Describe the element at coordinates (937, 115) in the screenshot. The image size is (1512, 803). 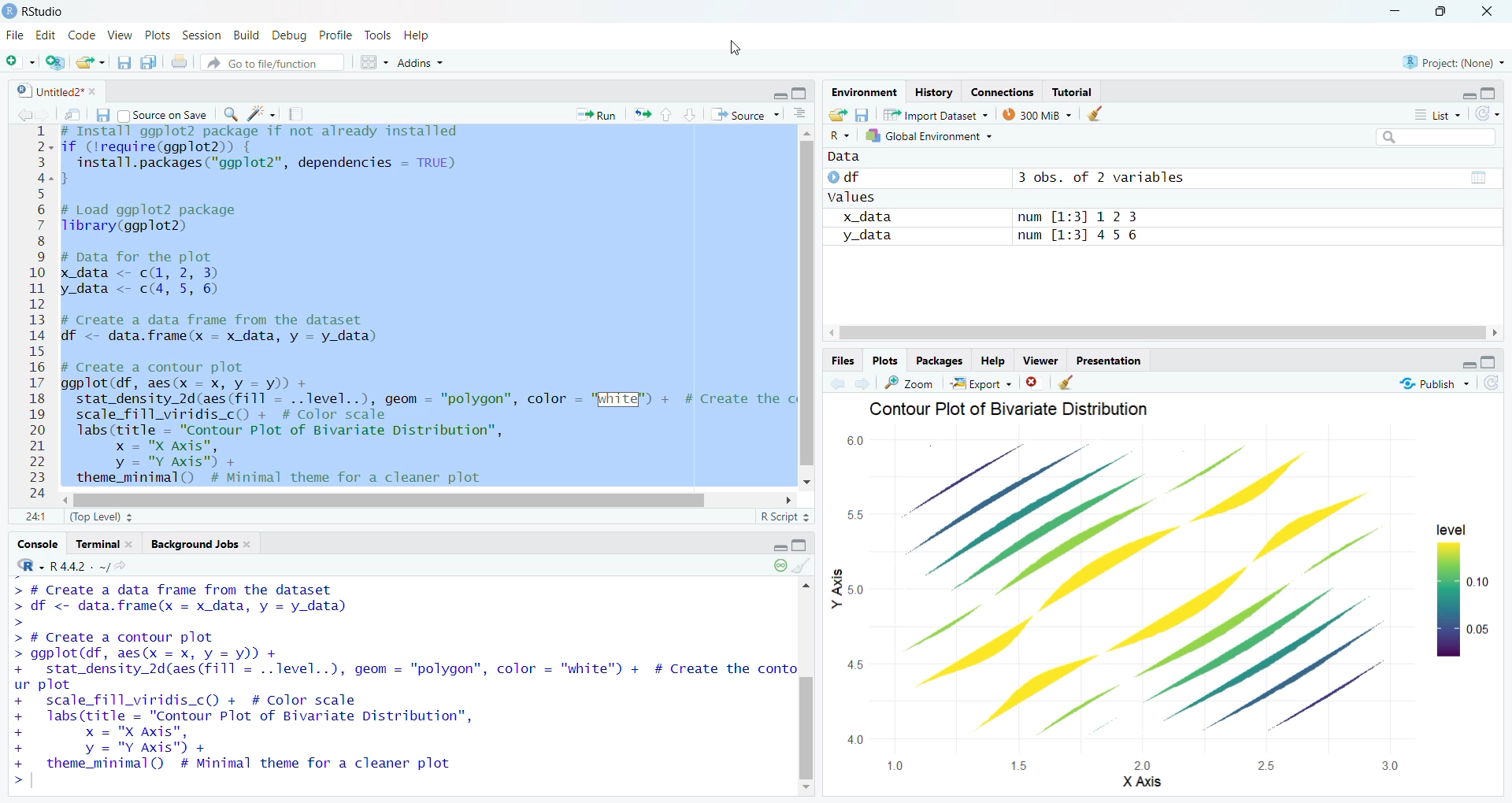
I see ` Import Dataset ` at that location.